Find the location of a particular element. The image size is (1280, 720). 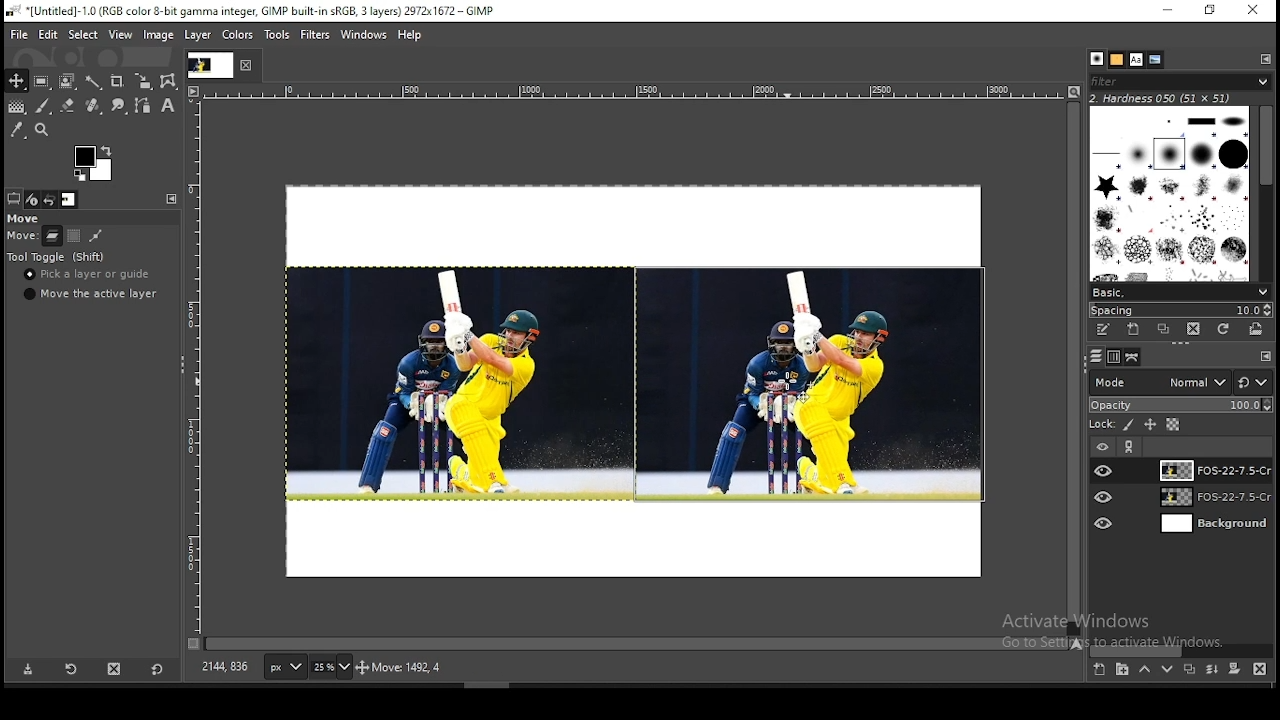

wrap transform is located at coordinates (168, 81).